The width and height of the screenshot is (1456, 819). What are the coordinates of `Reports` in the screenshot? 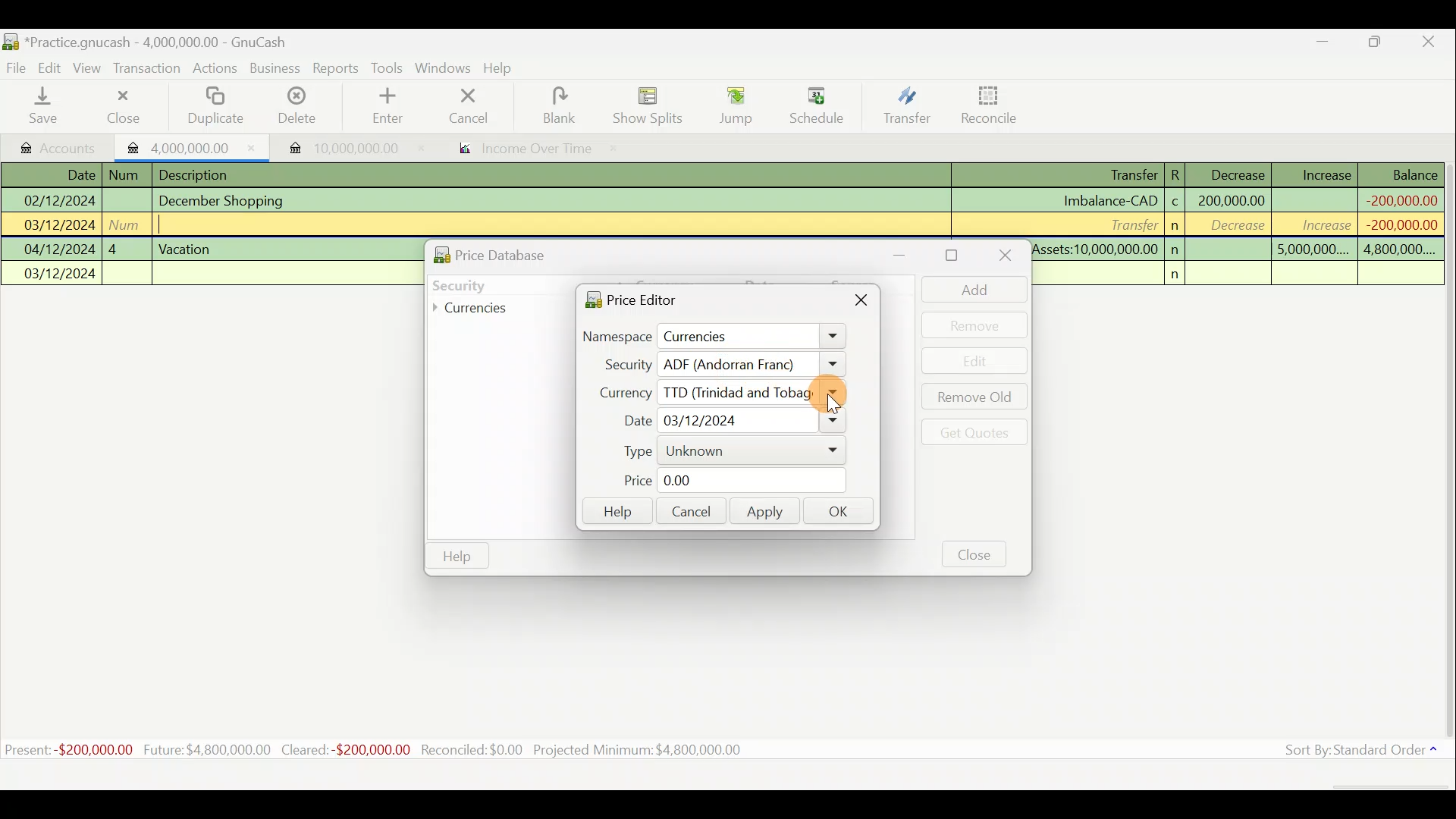 It's located at (335, 68).